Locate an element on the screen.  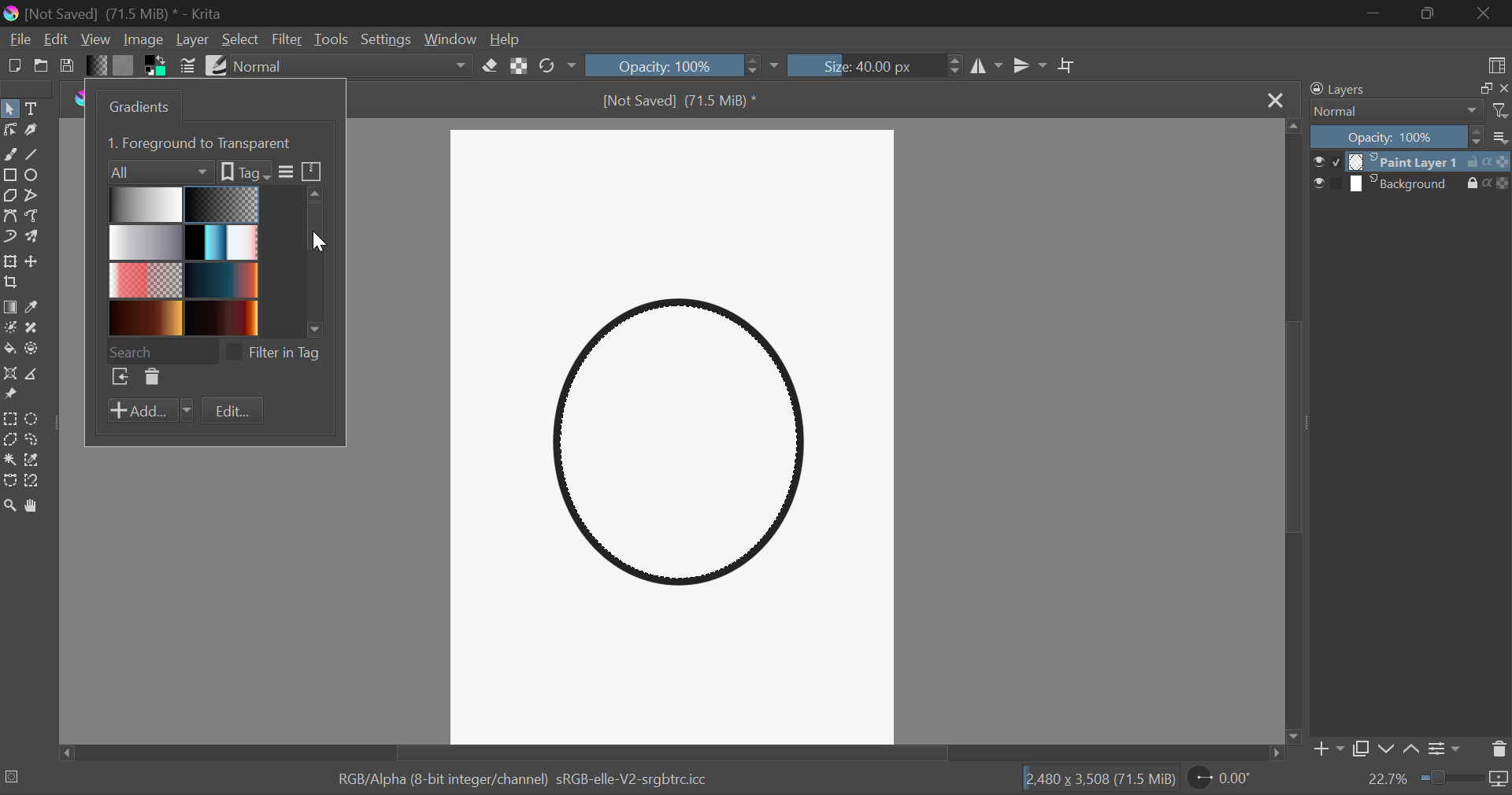
[Not Saved] (71.5 MiB) * is located at coordinates (680, 102).